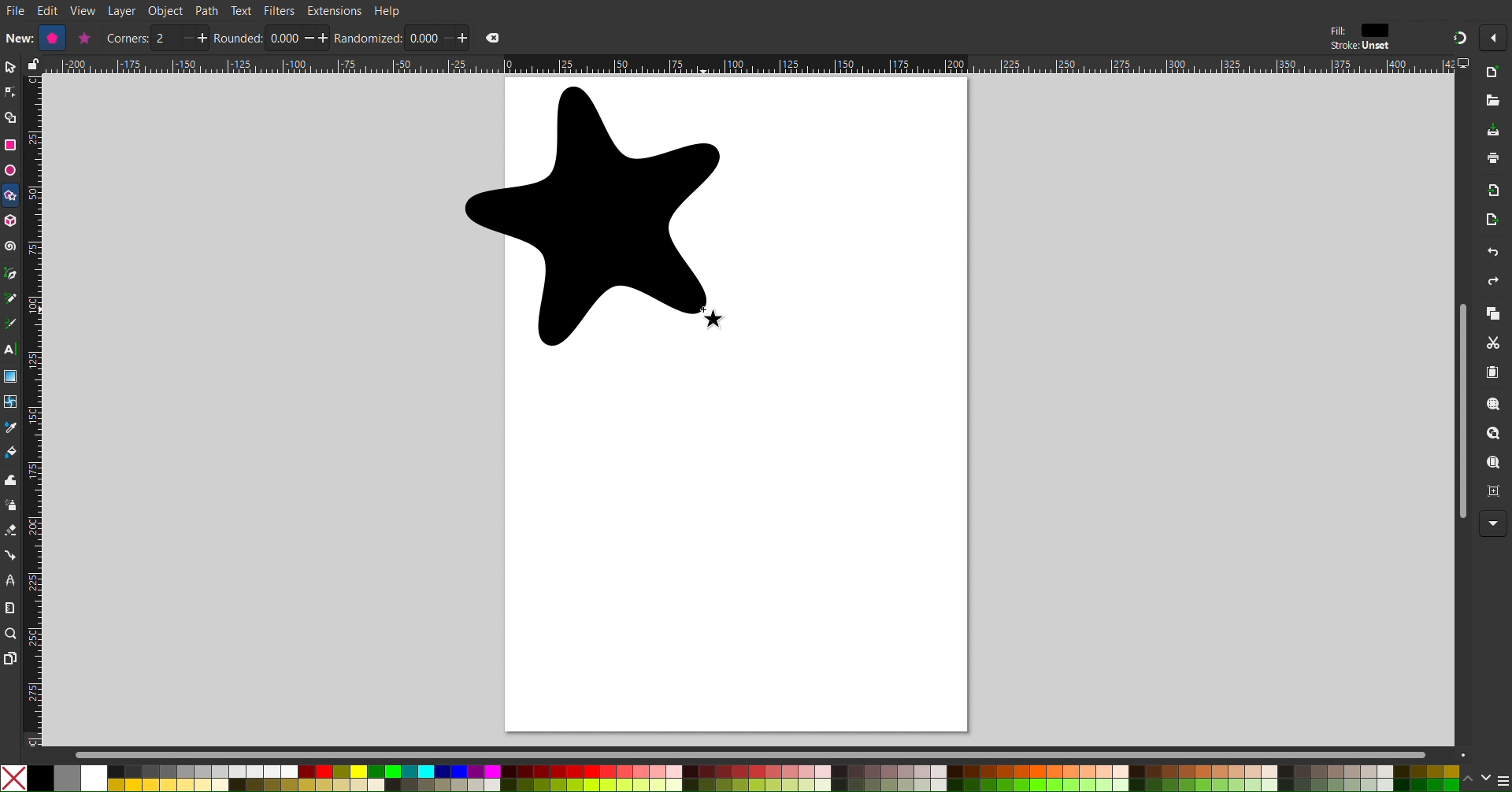  I want to click on Open, so click(1494, 102).